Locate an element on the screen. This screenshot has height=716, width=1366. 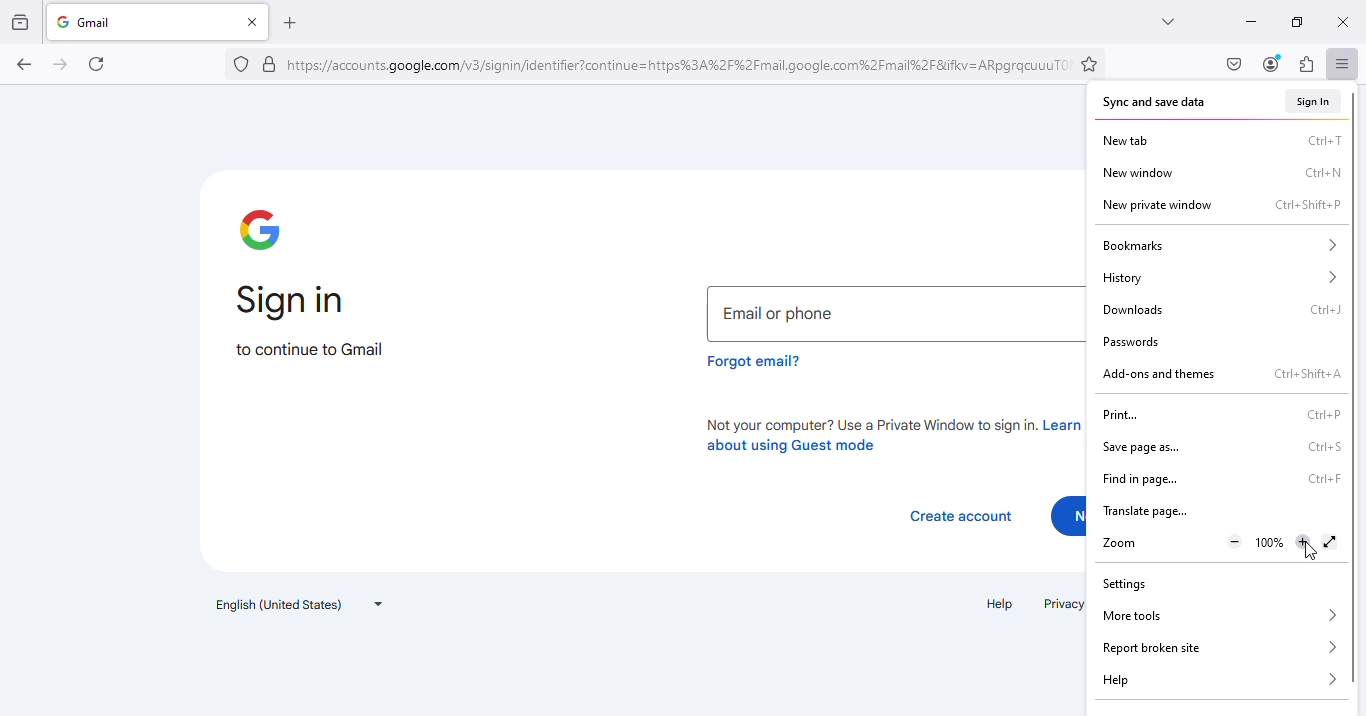
shortcut for downloads is located at coordinates (1322, 309).